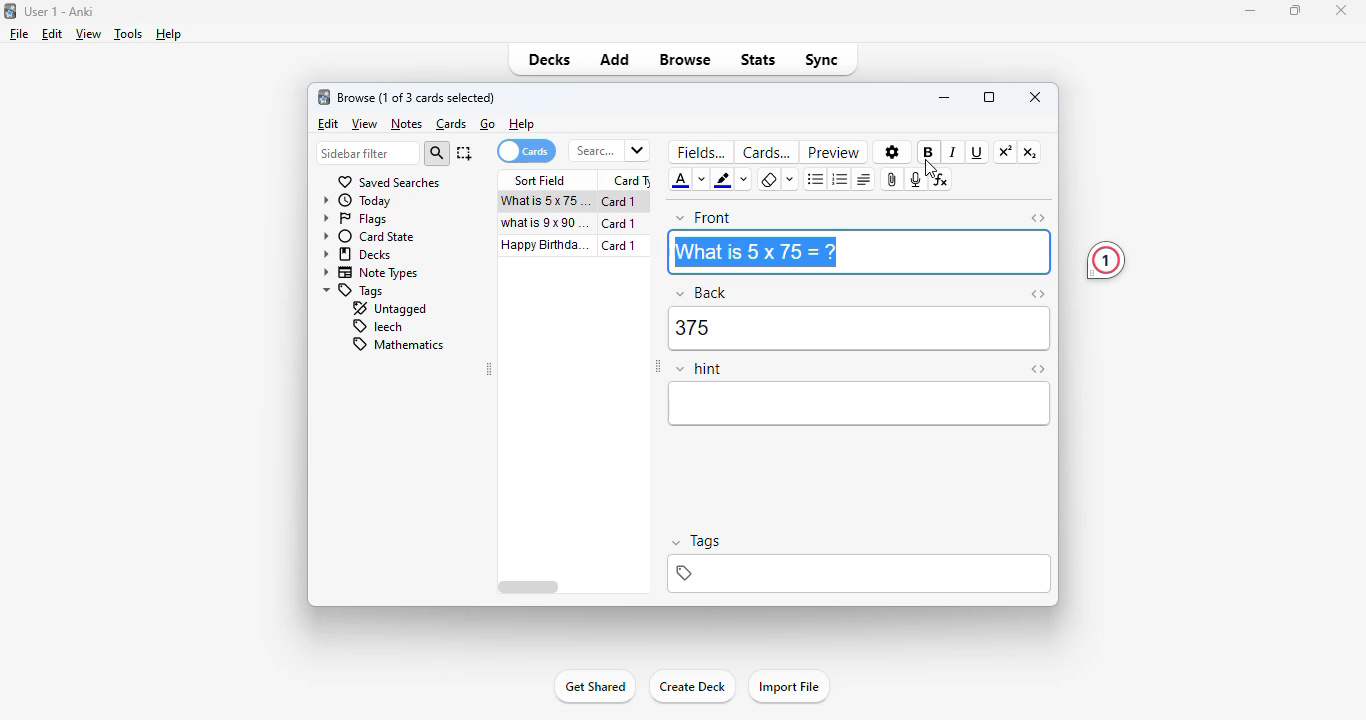 This screenshot has width=1366, height=720. Describe the element at coordinates (391, 309) in the screenshot. I see `untagged` at that location.